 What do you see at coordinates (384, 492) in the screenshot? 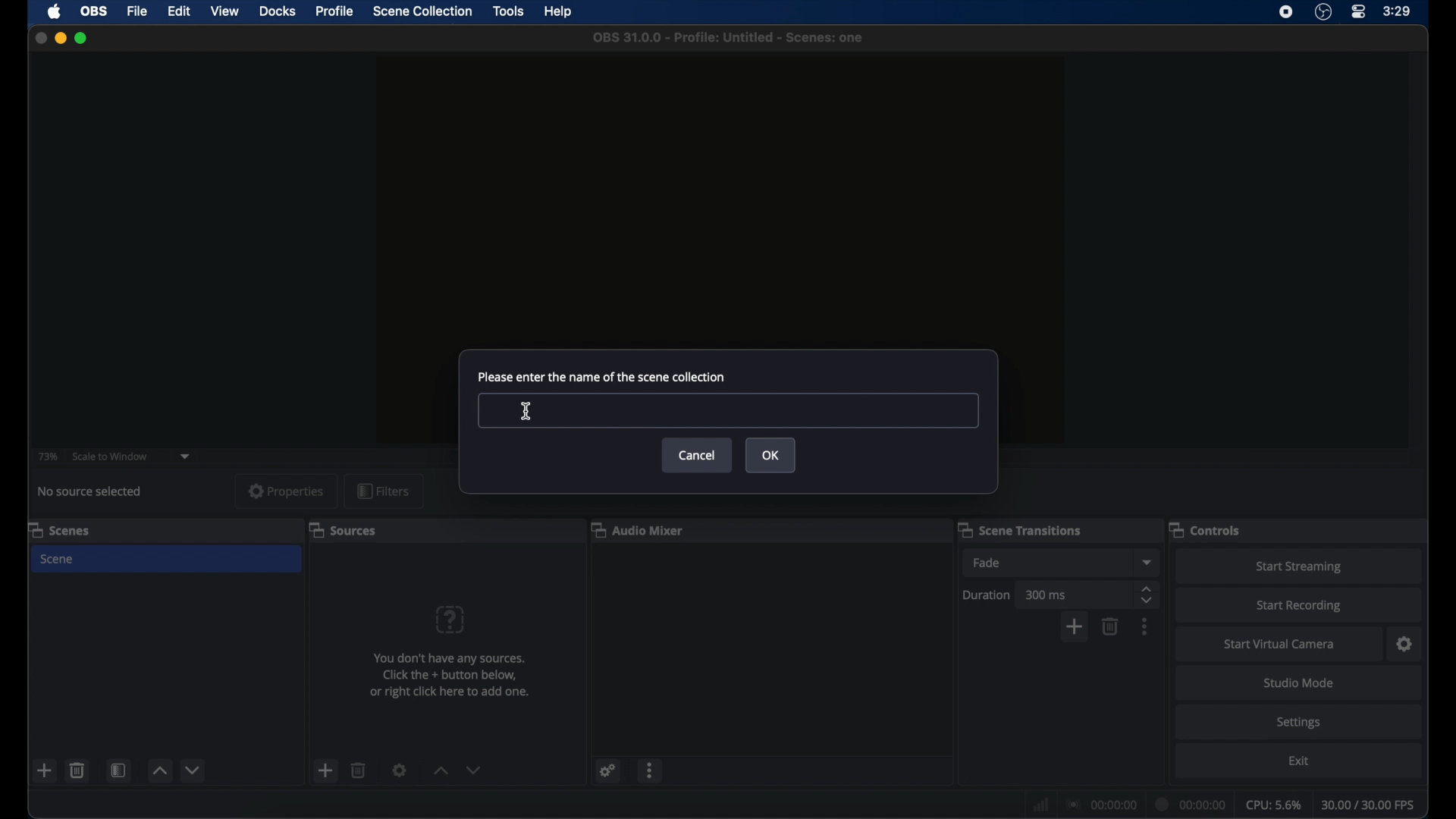
I see `filters` at bounding box center [384, 492].